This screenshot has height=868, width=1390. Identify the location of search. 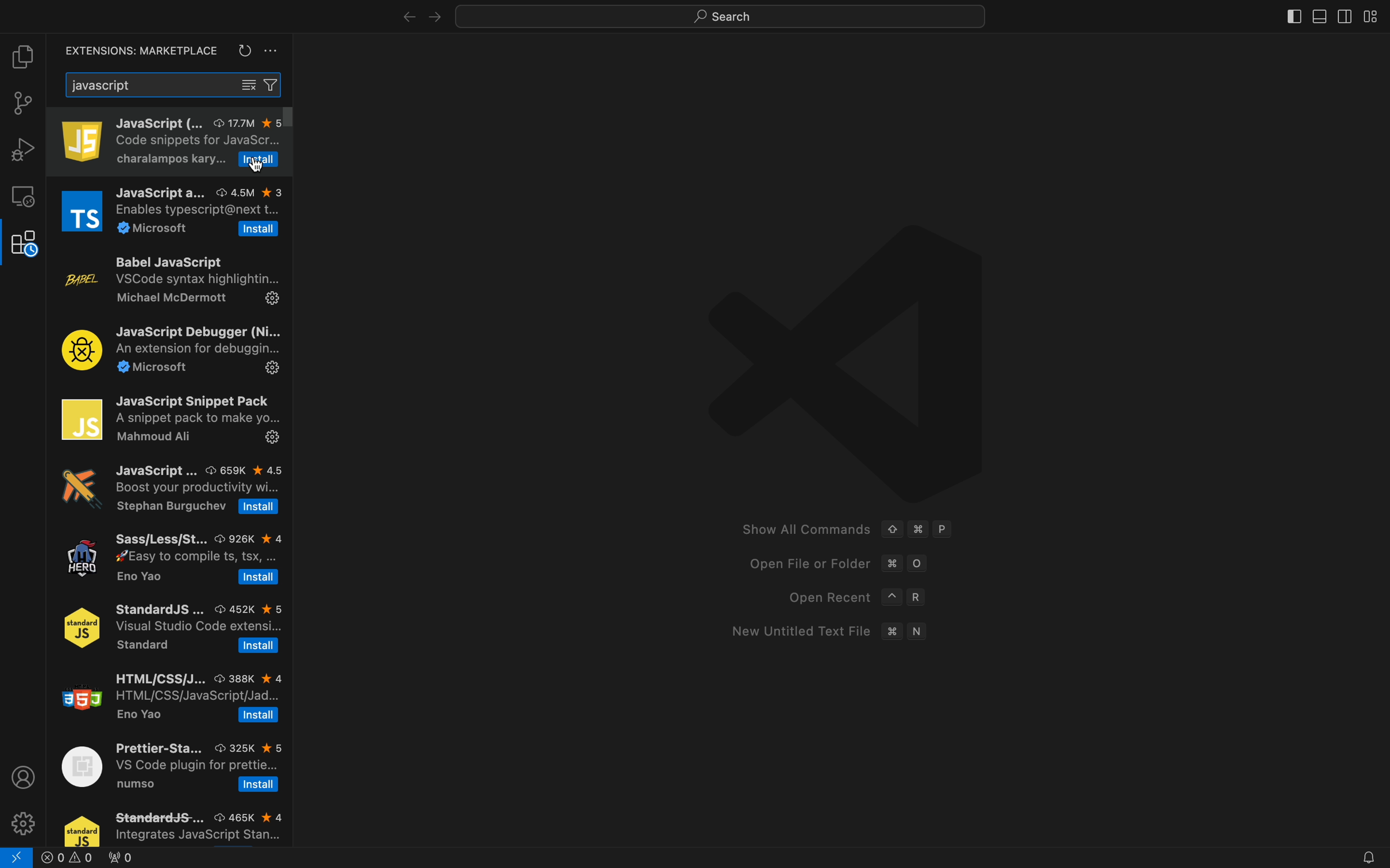
(711, 18).